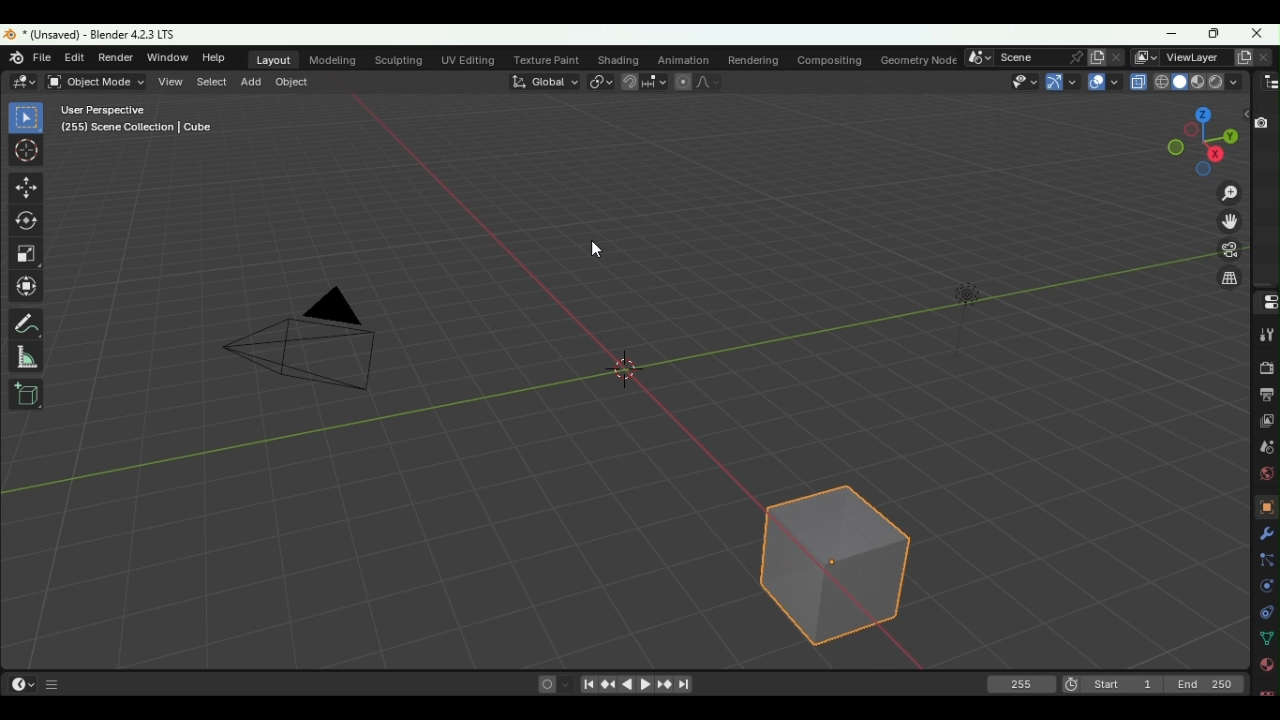 This screenshot has width=1280, height=720. I want to click on Cube object, so click(839, 565).